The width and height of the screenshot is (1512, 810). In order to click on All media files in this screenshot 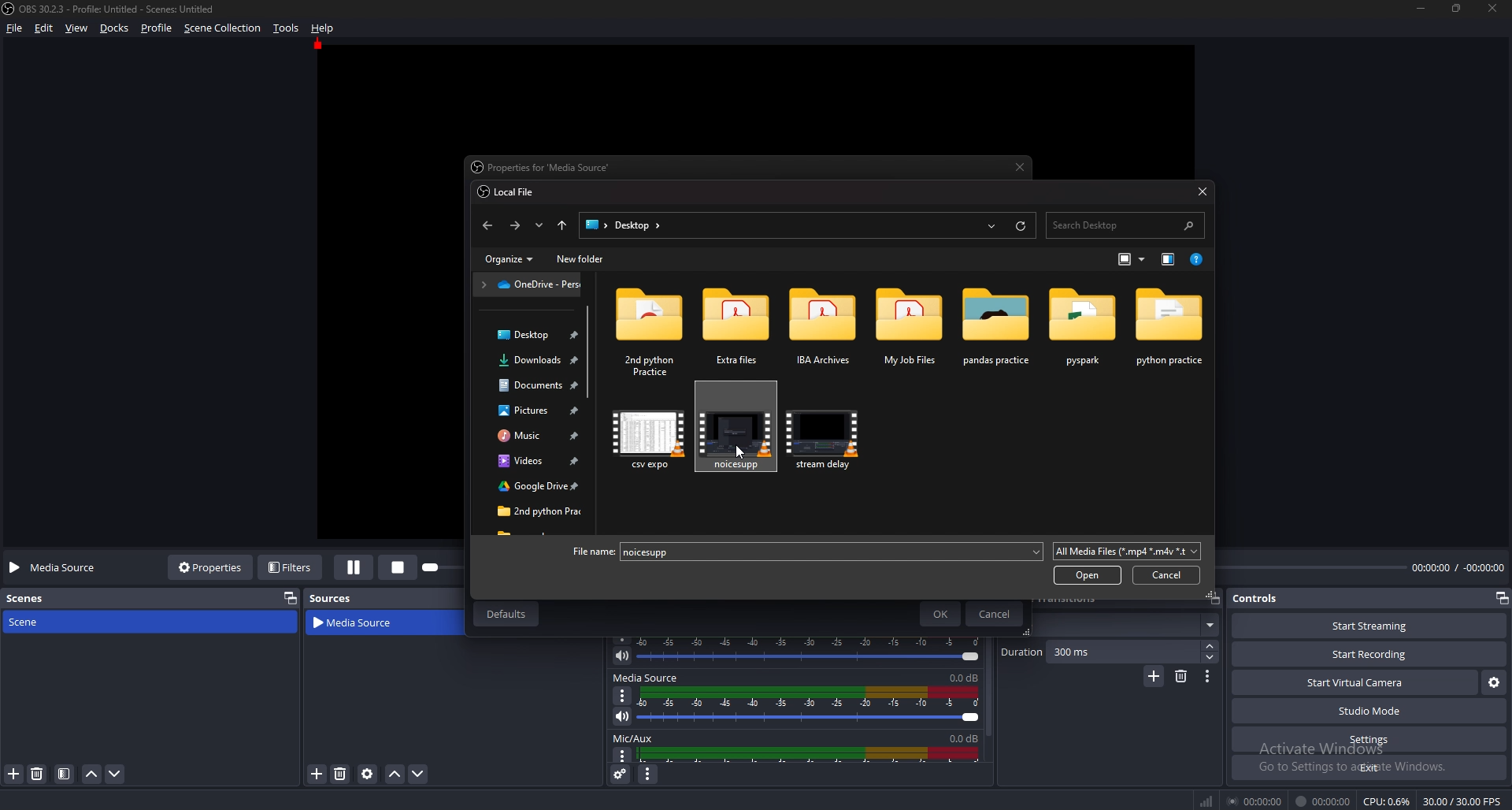, I will do `click(1127, 551)`.